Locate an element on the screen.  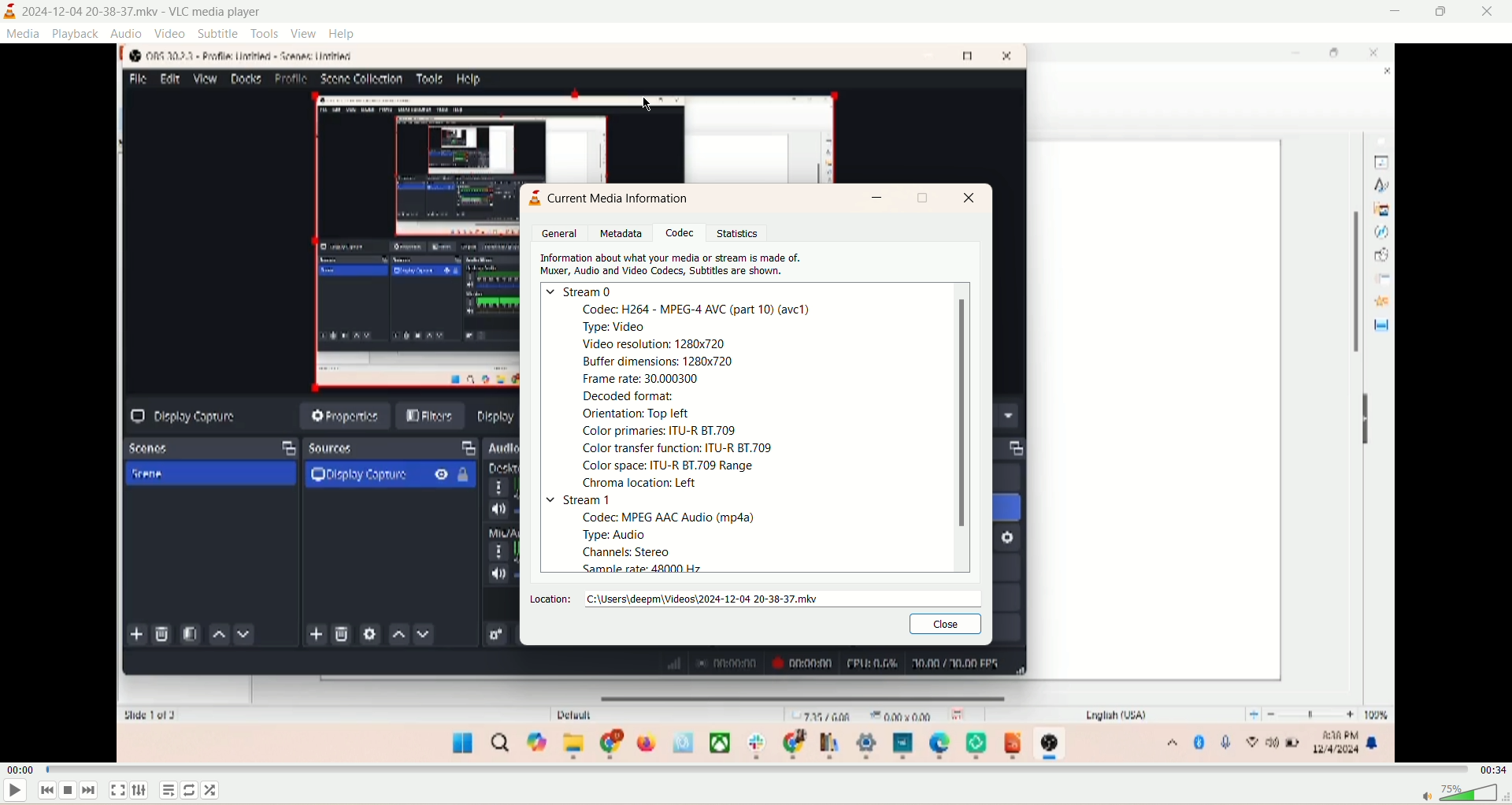
help is located at coordinates (342, 34).